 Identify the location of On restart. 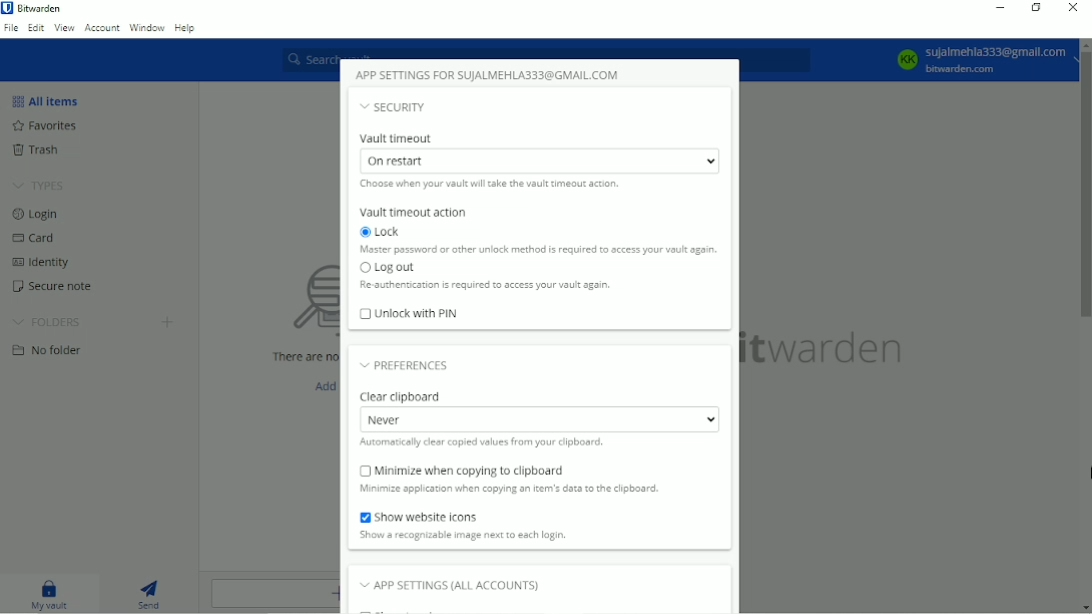
(539, 161).